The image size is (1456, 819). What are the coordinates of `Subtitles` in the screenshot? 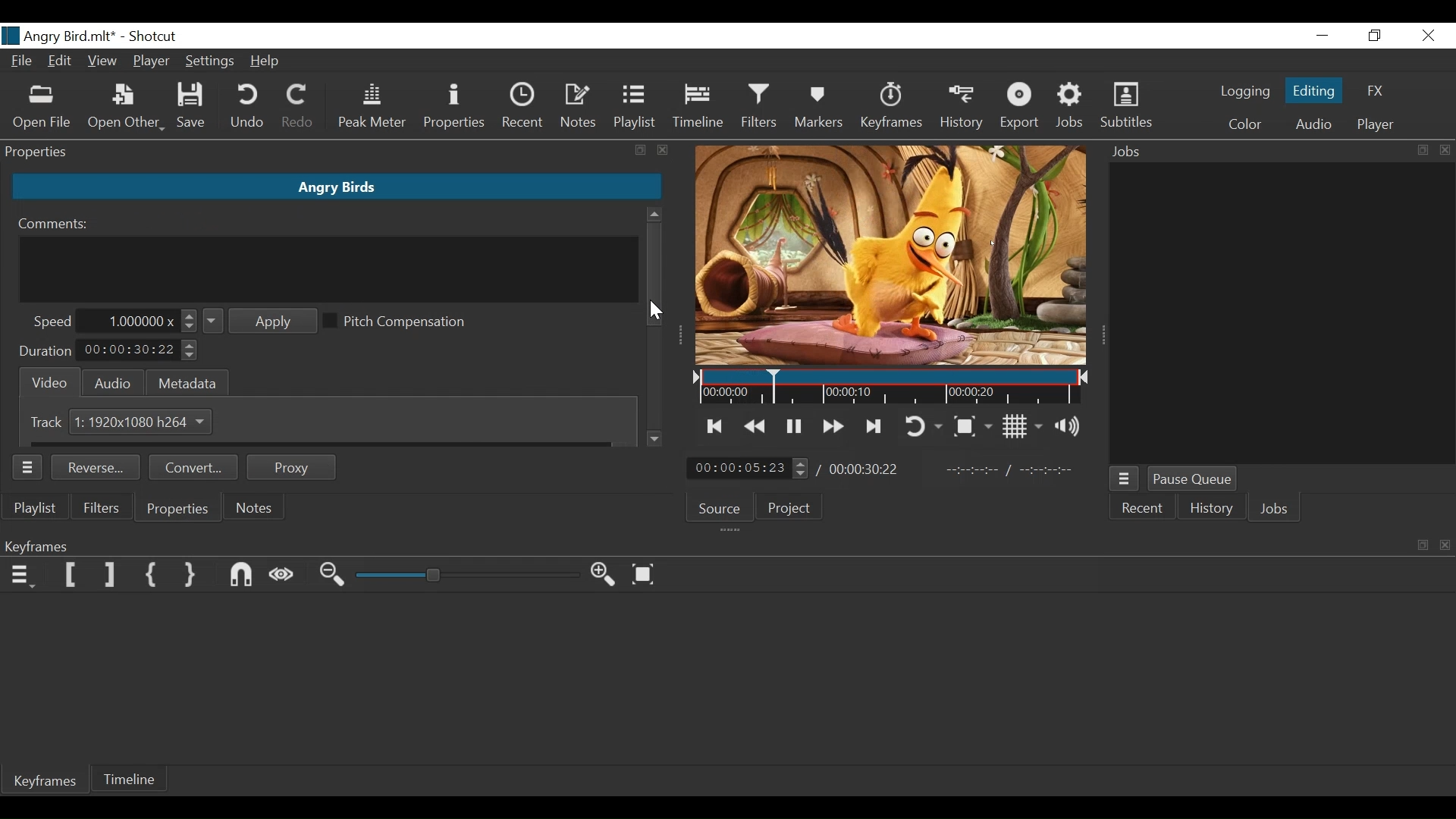 It's located at (1127, 108).